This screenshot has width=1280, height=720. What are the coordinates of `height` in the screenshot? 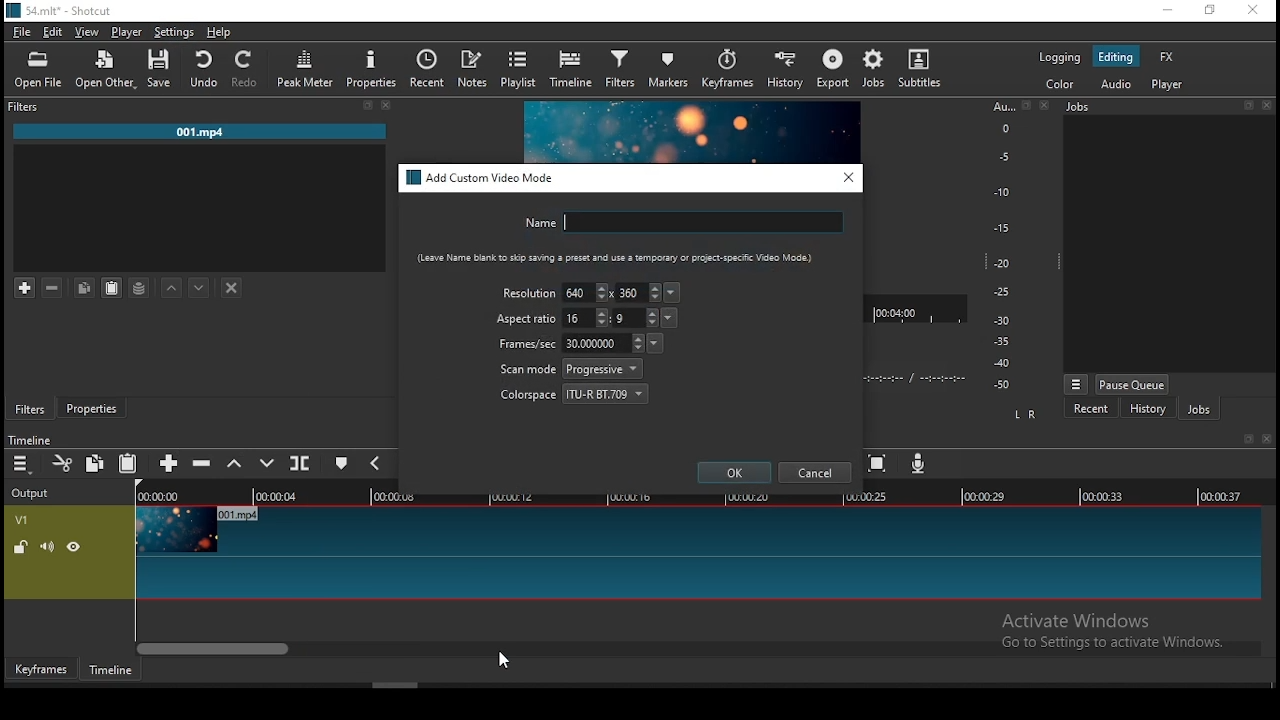 It's located at (635, 317).